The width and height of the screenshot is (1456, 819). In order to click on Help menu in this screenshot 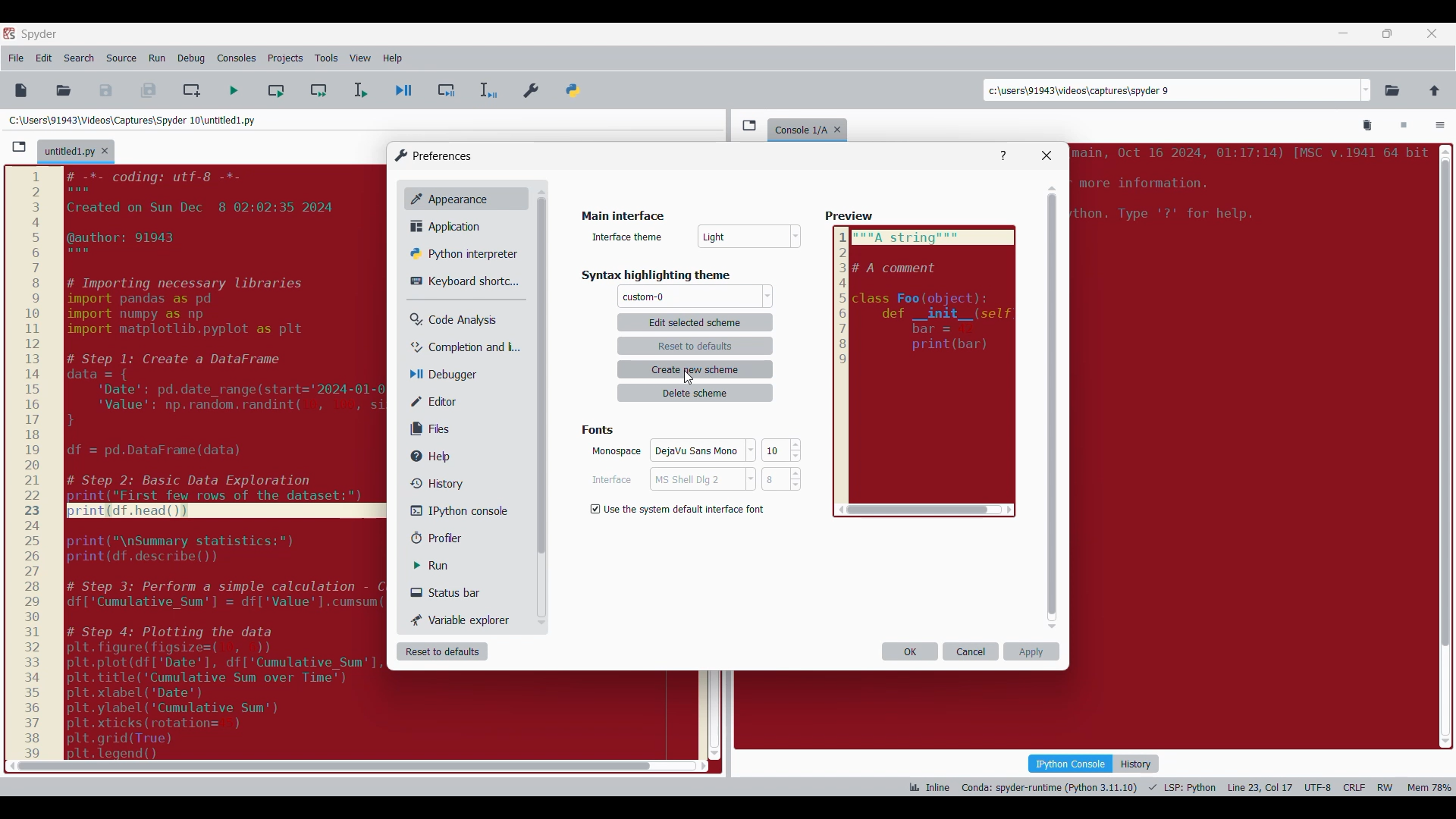, I will do `click(392, 58)`.